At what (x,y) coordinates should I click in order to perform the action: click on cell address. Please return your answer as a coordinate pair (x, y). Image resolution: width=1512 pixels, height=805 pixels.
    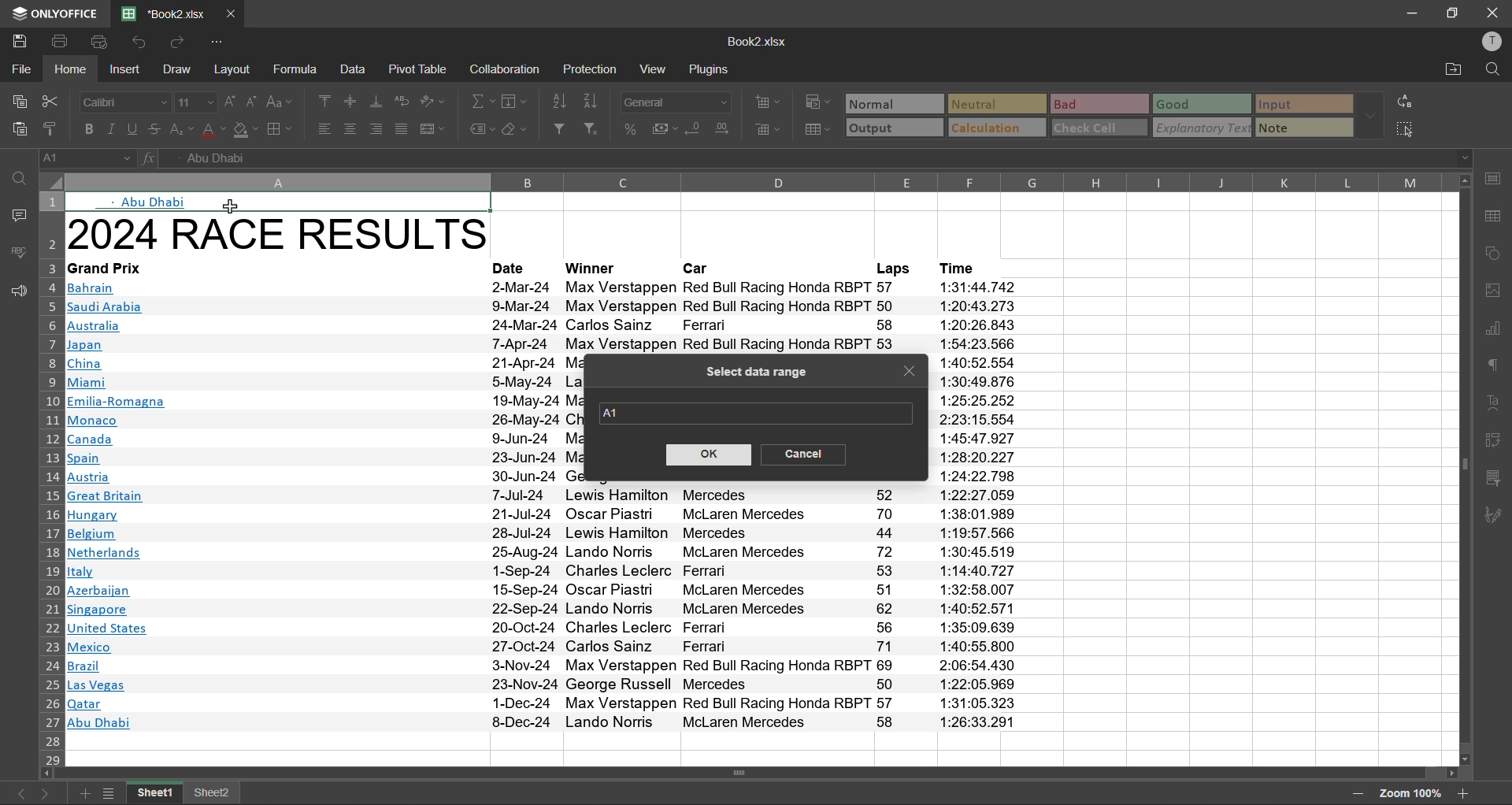
    Looking at the image, I should click on (86, 158).